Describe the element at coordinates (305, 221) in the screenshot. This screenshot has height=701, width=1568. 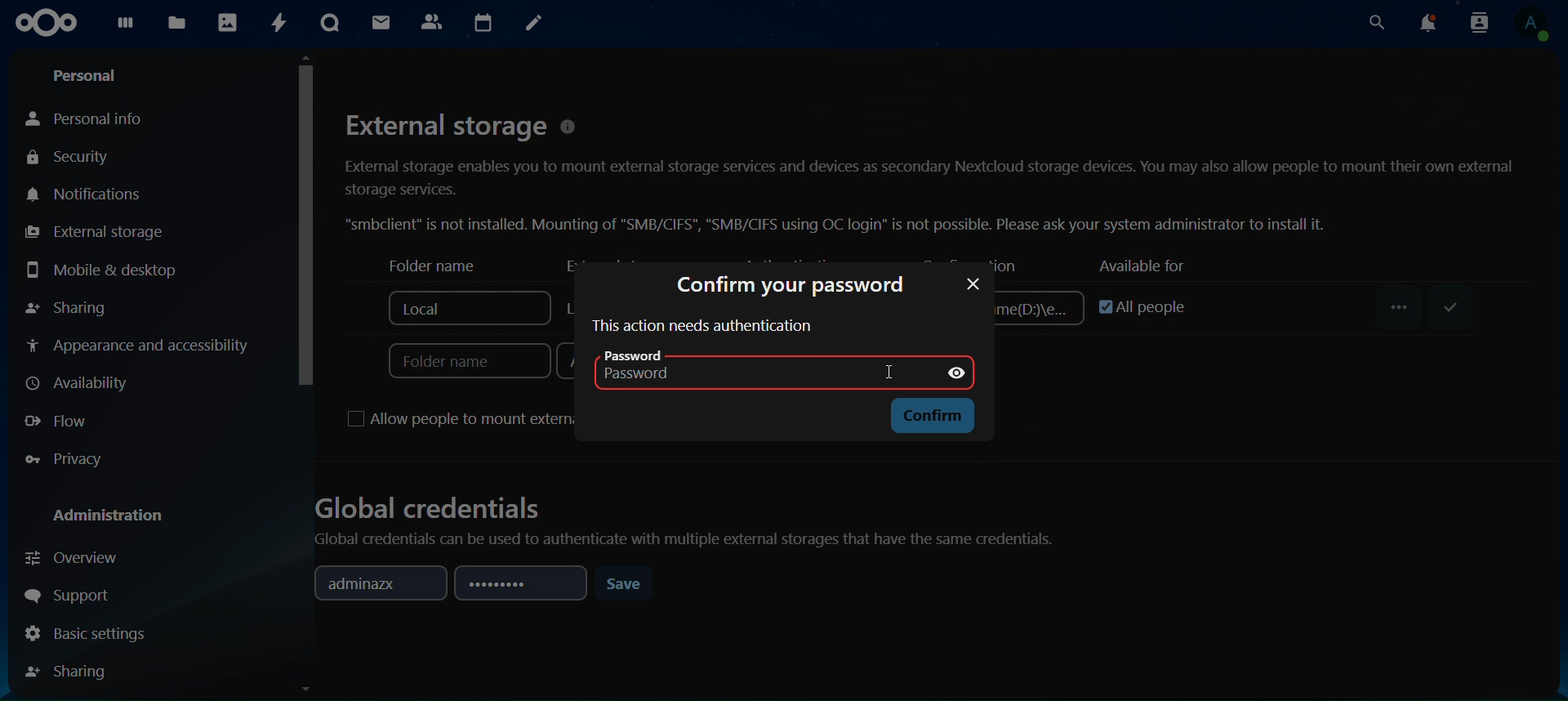
I see `cursor` at that location.